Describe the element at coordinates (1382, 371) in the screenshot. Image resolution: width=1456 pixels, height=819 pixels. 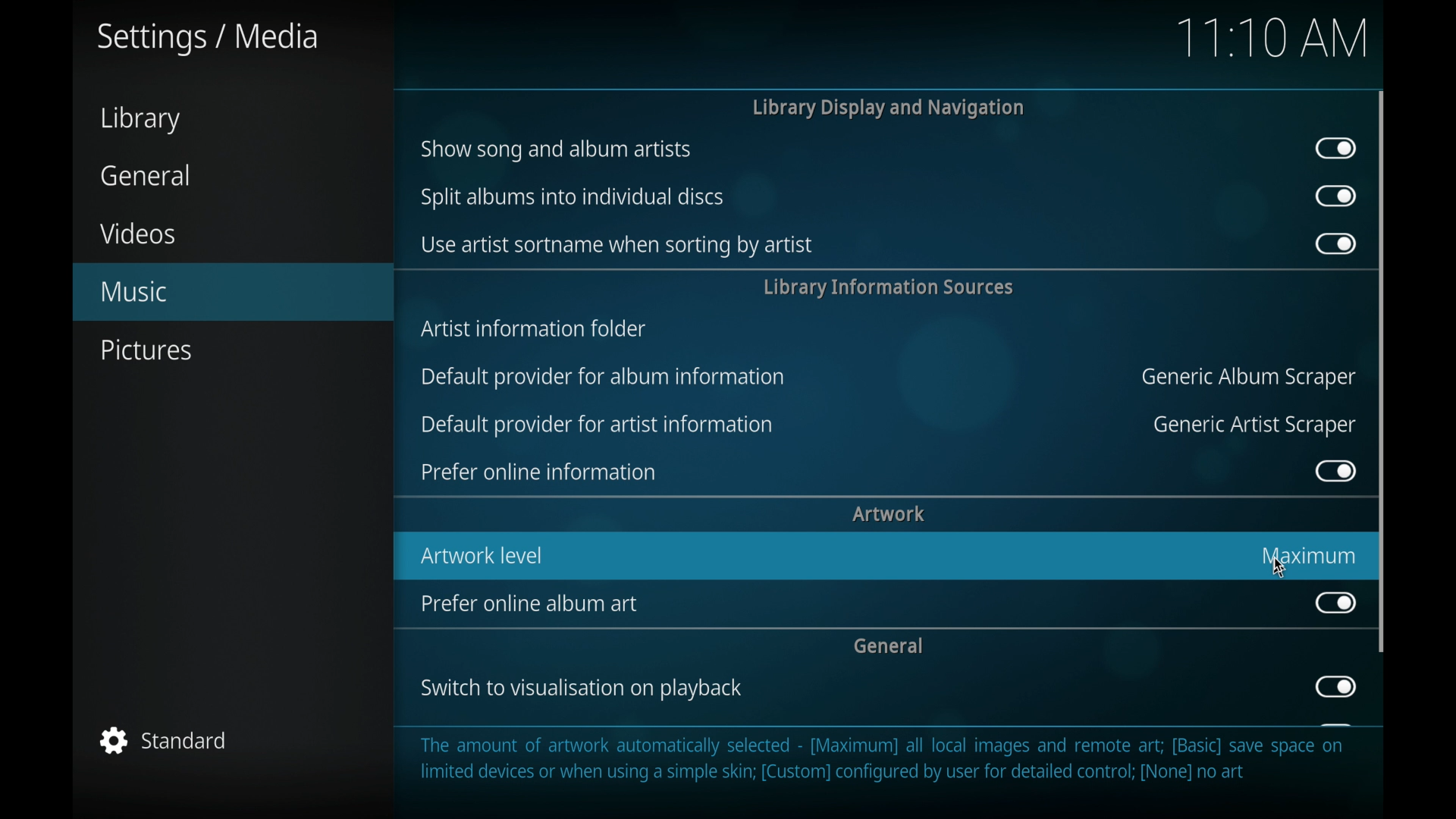
I see `scroll box` at that location.